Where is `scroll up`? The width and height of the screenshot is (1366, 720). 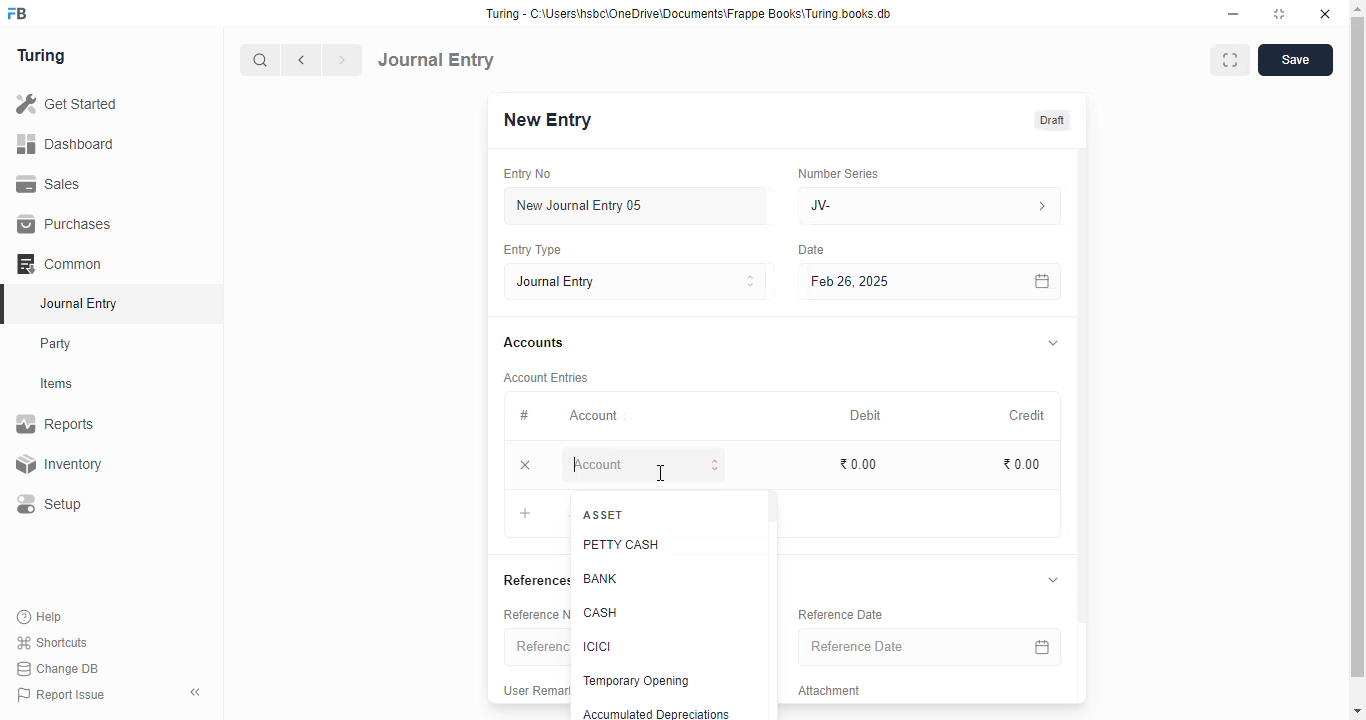
scroll up is located at coordinates (1358, 9).